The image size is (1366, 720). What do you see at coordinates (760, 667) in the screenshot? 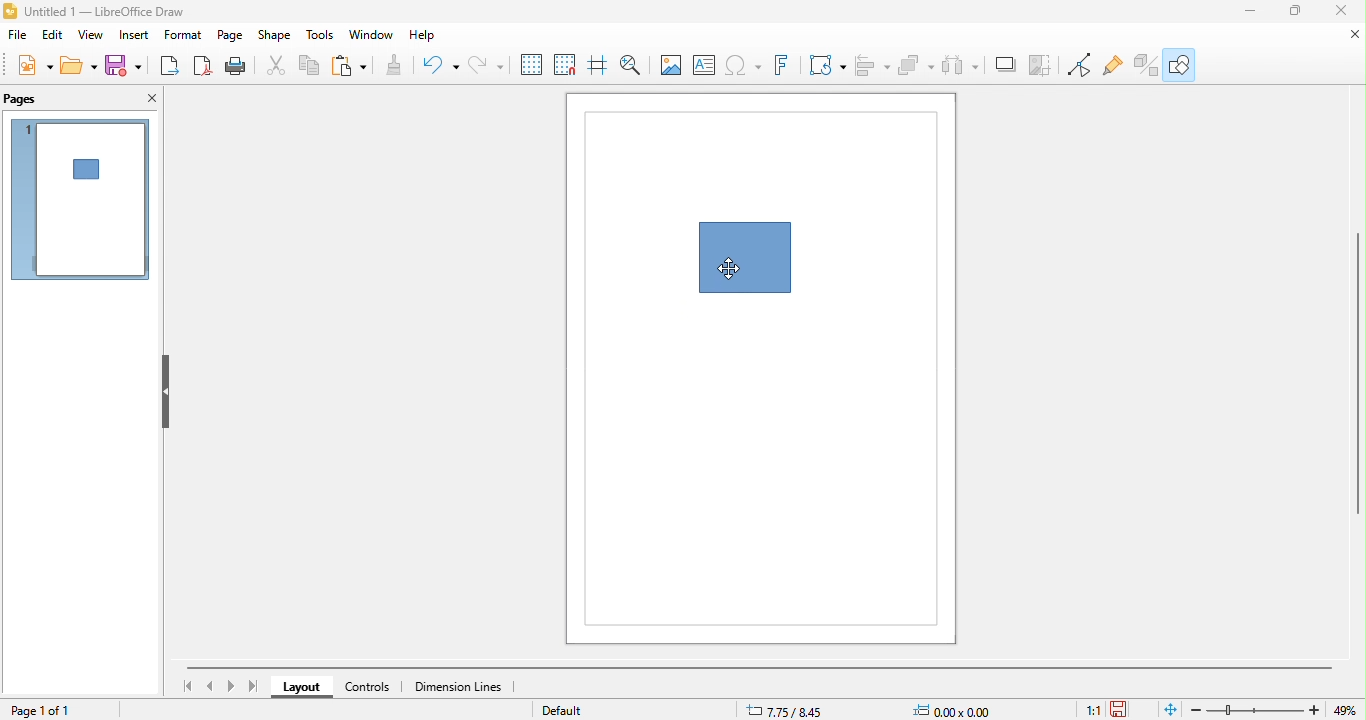
I see `horizontal scroll bar` at bounding box center [760, 667].